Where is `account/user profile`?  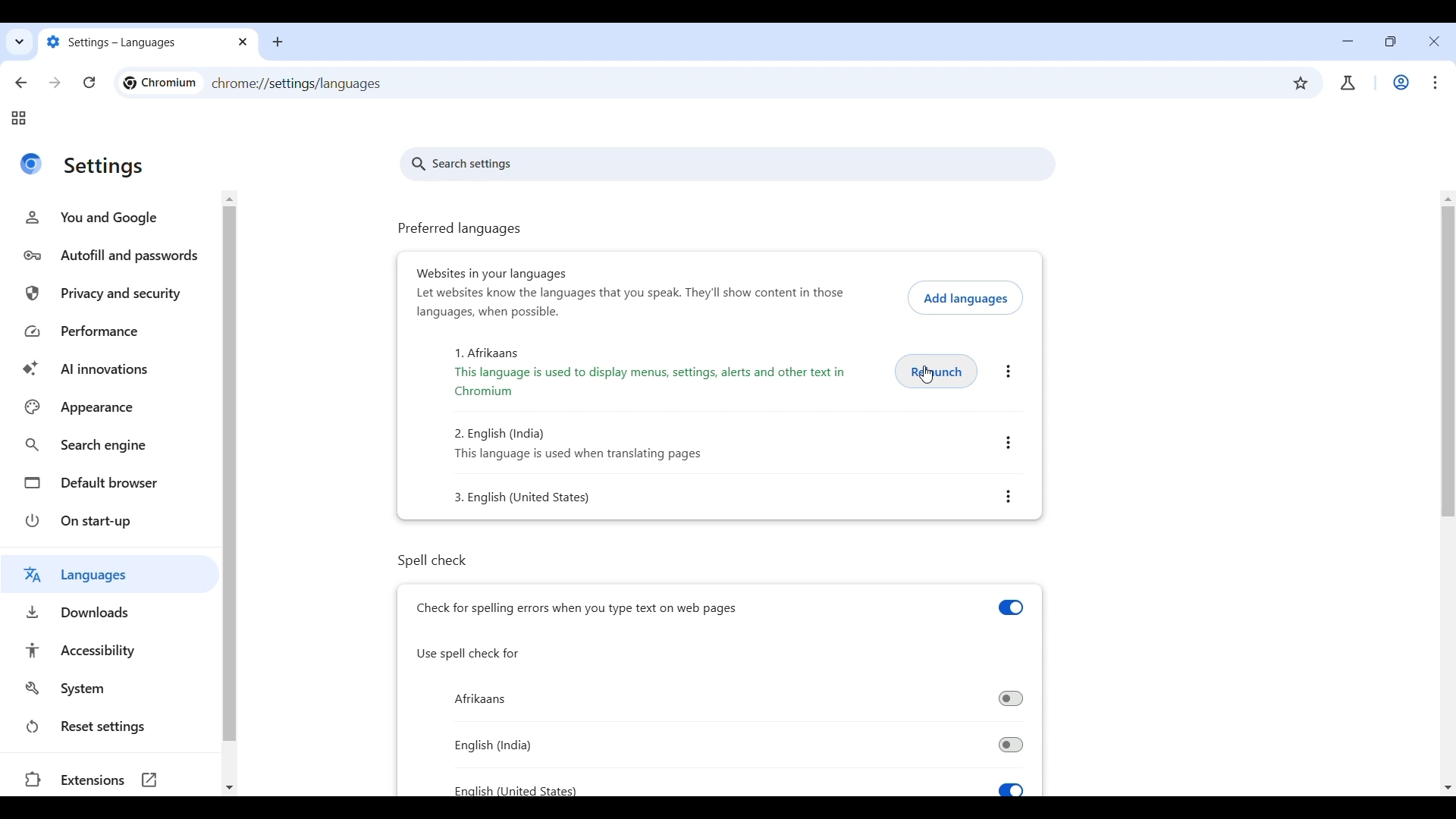 account/user profile is located at coordinates (1347, 83).